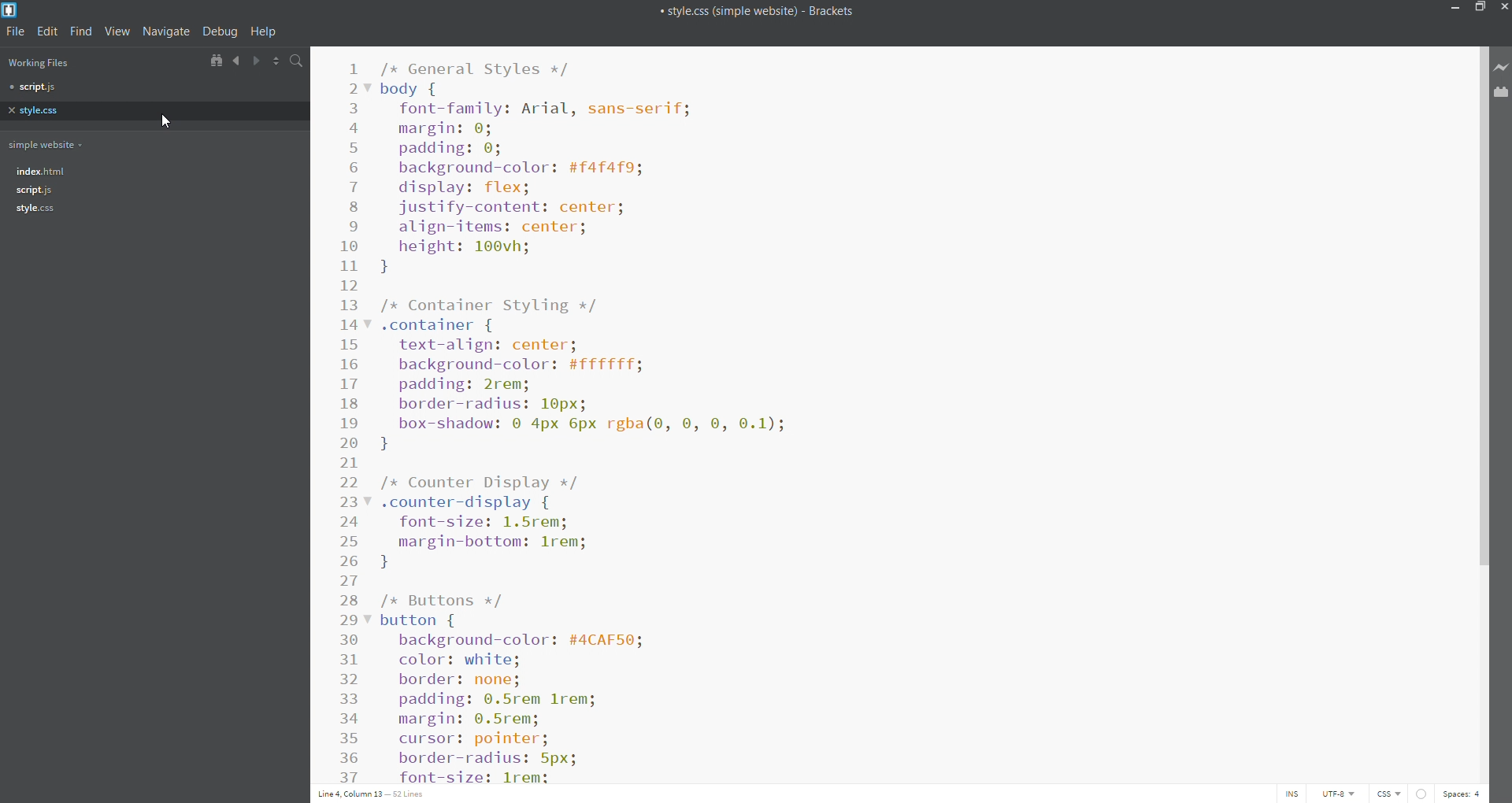  I want to click on navigate, so click(165, 31).